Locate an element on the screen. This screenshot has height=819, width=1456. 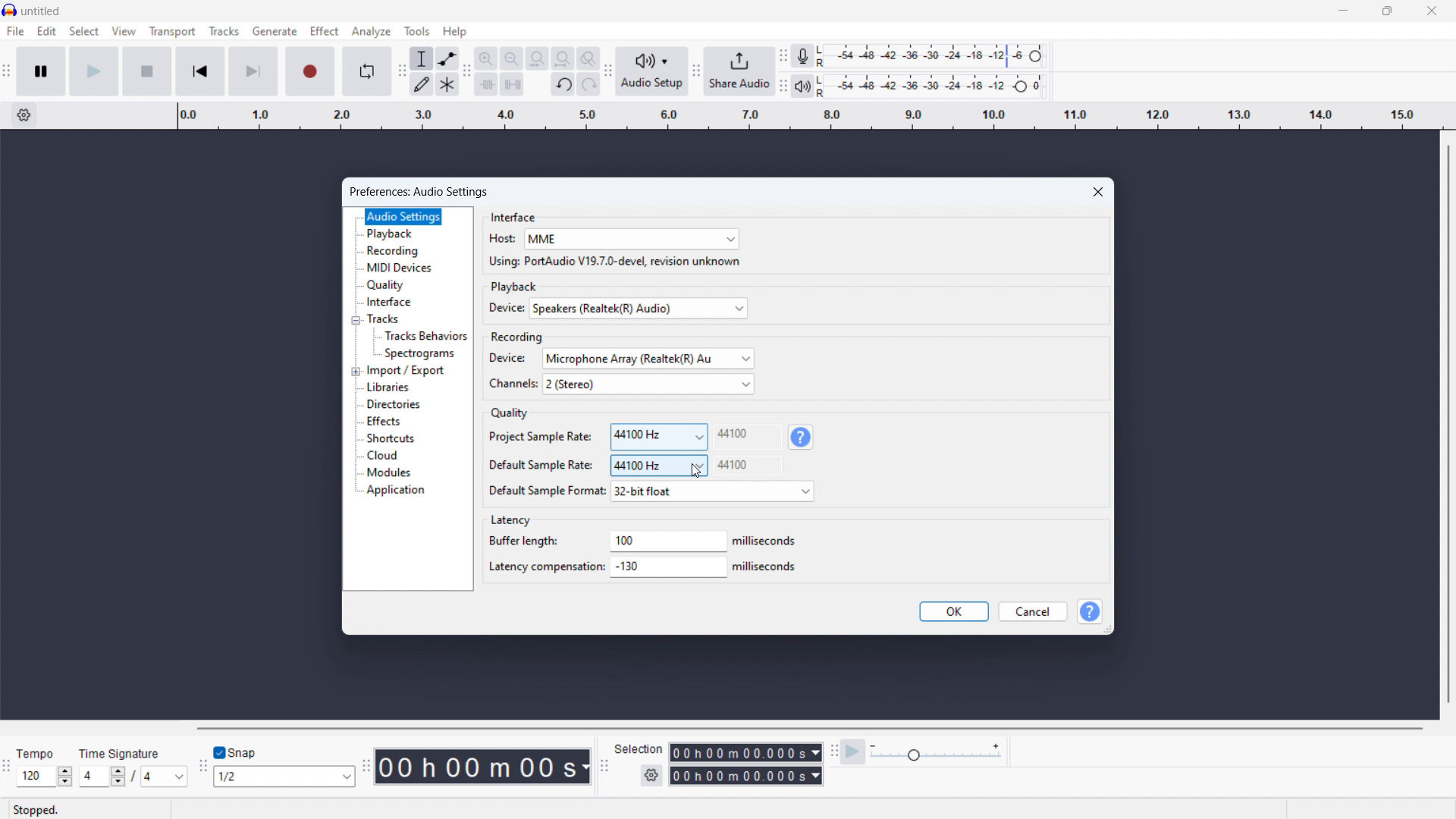
playback meter toolbar is located at coordinates (802, 86).